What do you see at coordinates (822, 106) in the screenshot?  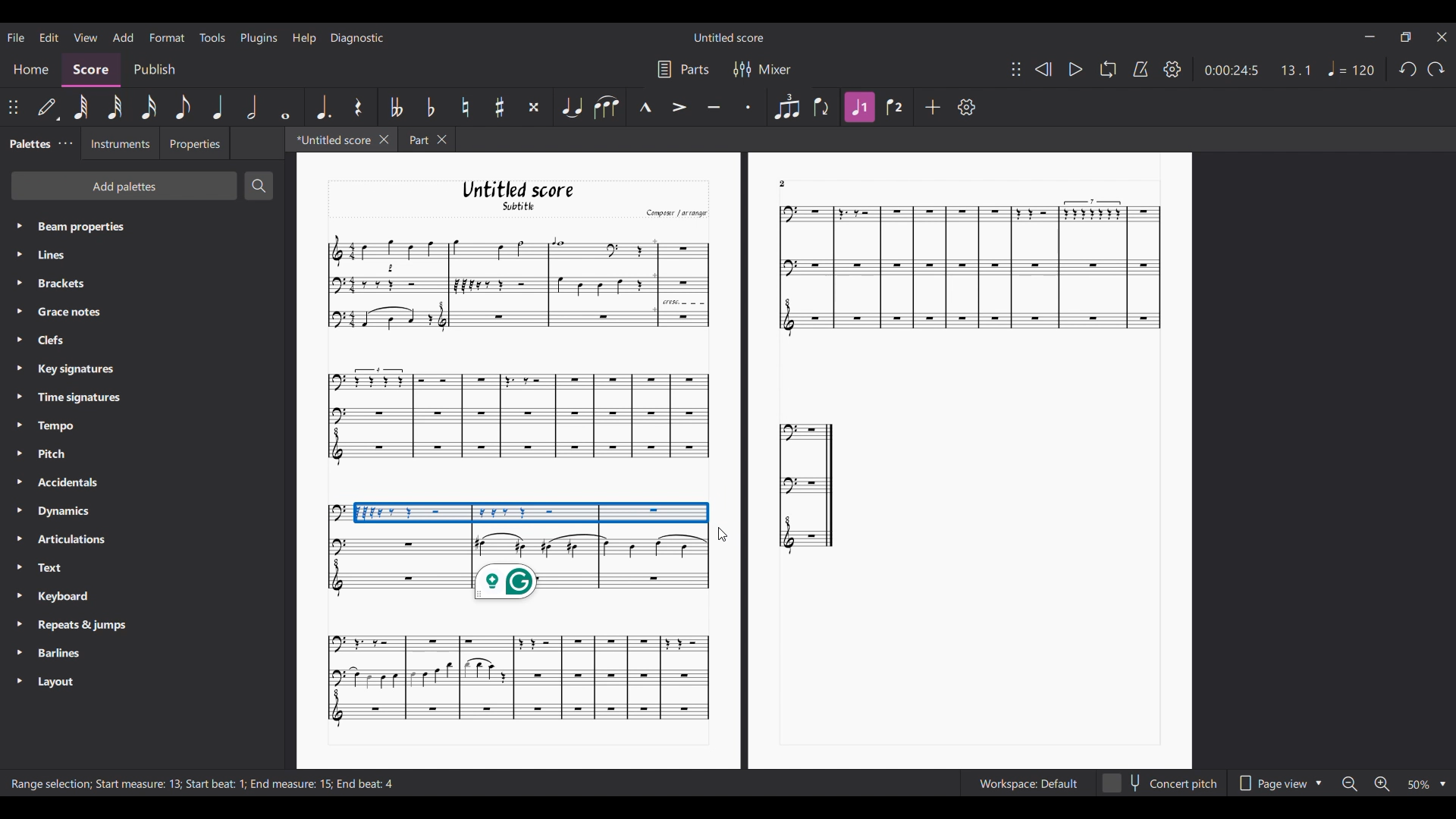 I see `Flip direction` at bounding box center [822, 106].